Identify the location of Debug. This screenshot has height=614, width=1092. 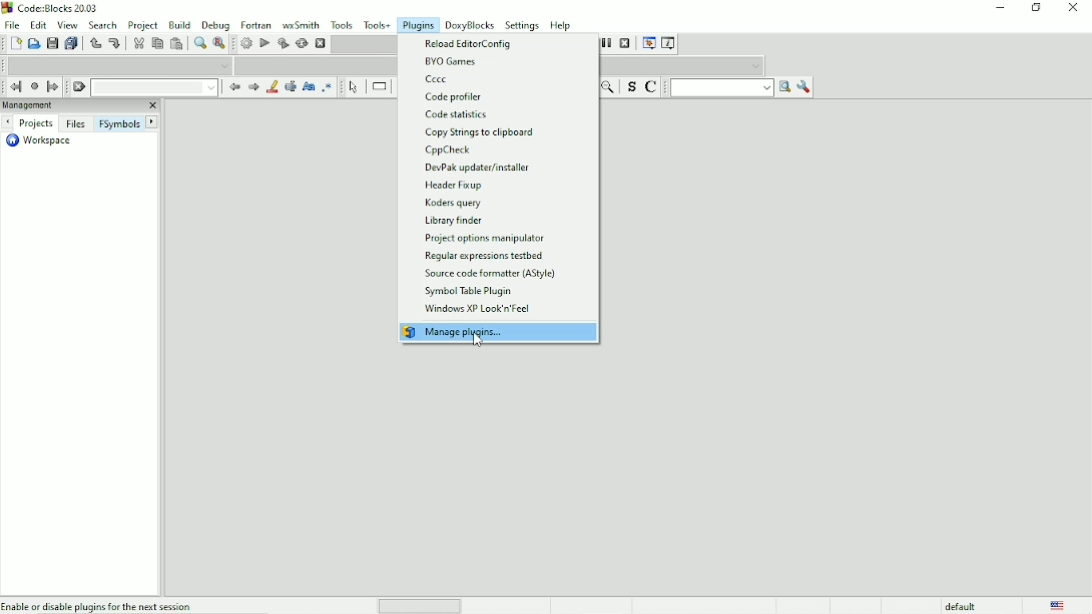
(216, 23).